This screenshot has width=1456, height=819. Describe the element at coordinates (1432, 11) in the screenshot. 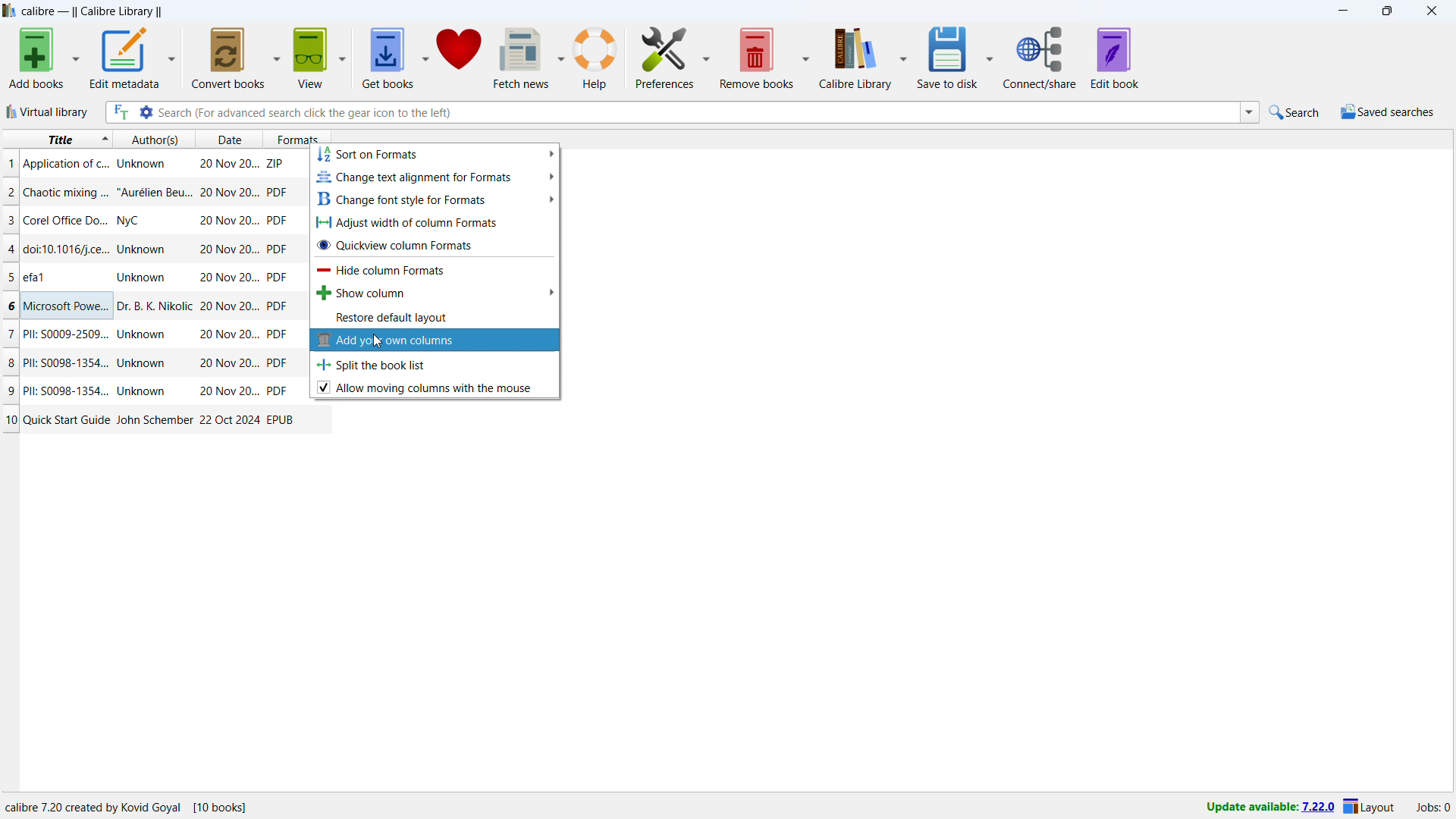

I see `close` at that location.